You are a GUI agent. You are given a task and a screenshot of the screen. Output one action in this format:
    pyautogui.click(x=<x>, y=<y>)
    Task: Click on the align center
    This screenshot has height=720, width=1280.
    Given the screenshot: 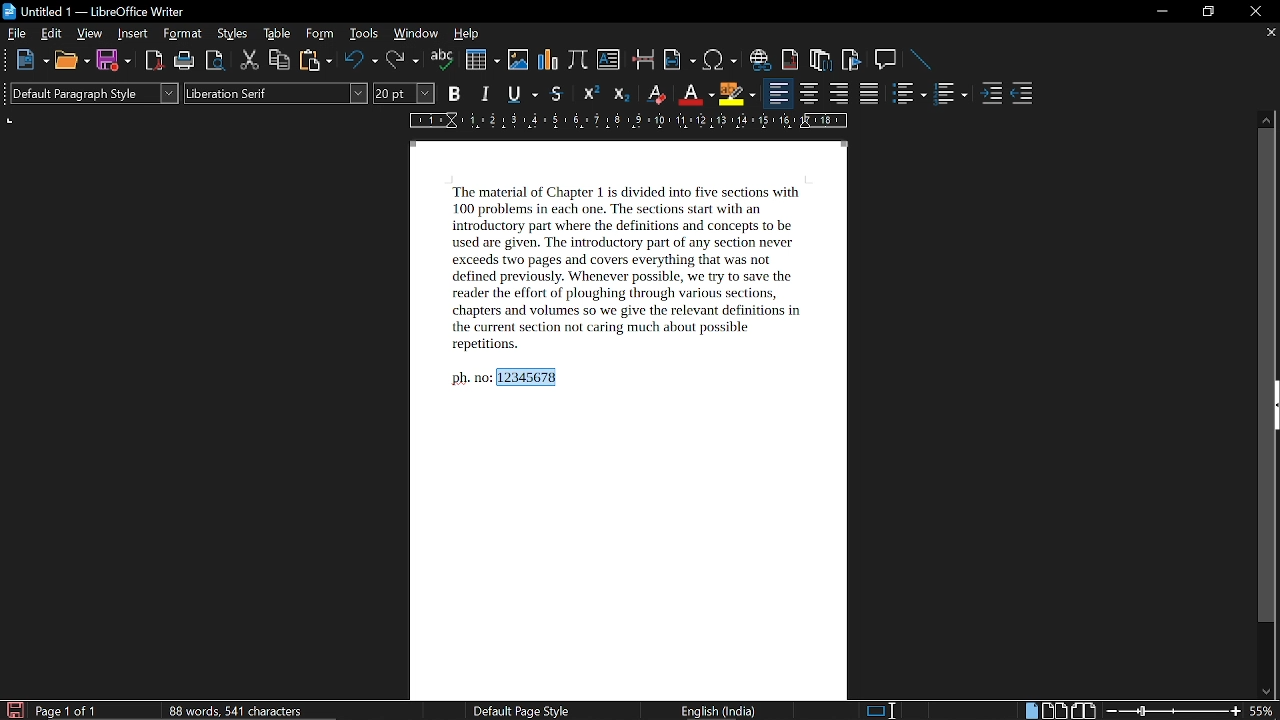 What is the action you would take?
    pyautogui.click(x=810, y=95)
    